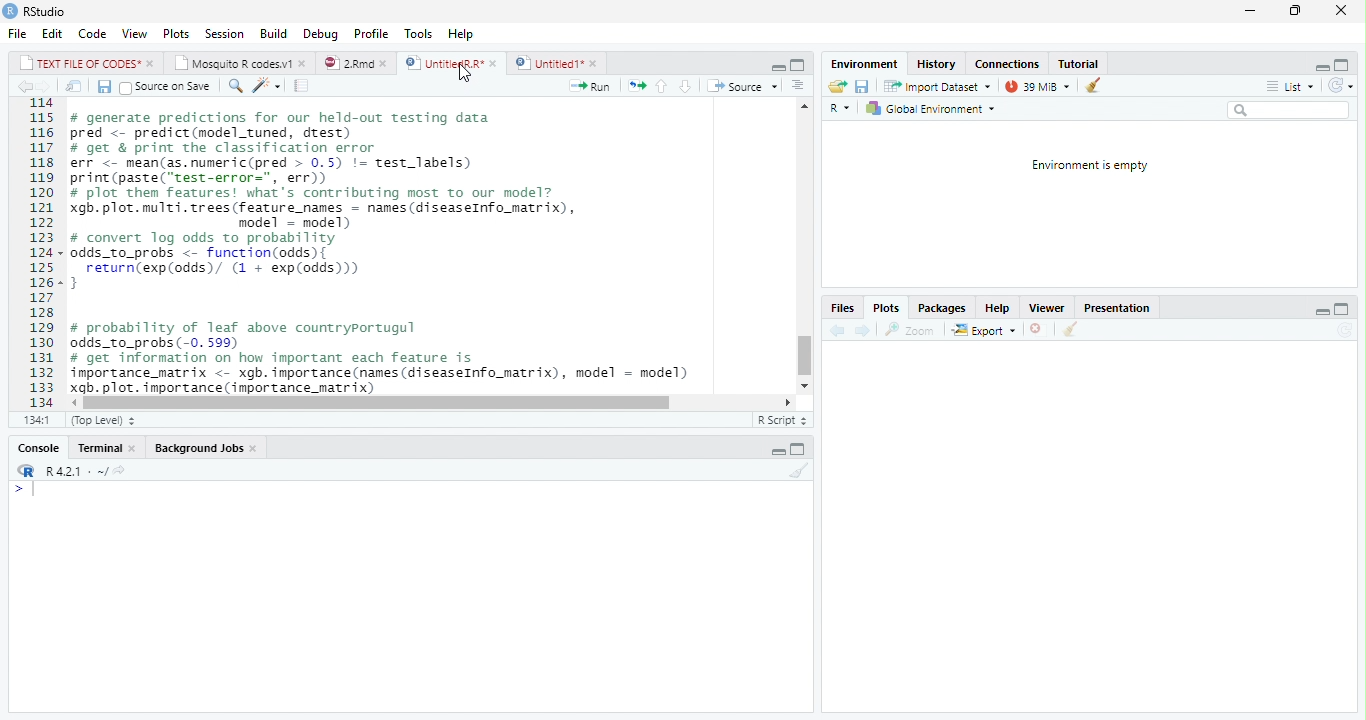 This screenshot has height=720, width=1366. Describe the element at coordinates (797, 63) in the screenshot. I see `Maximize` at that location.